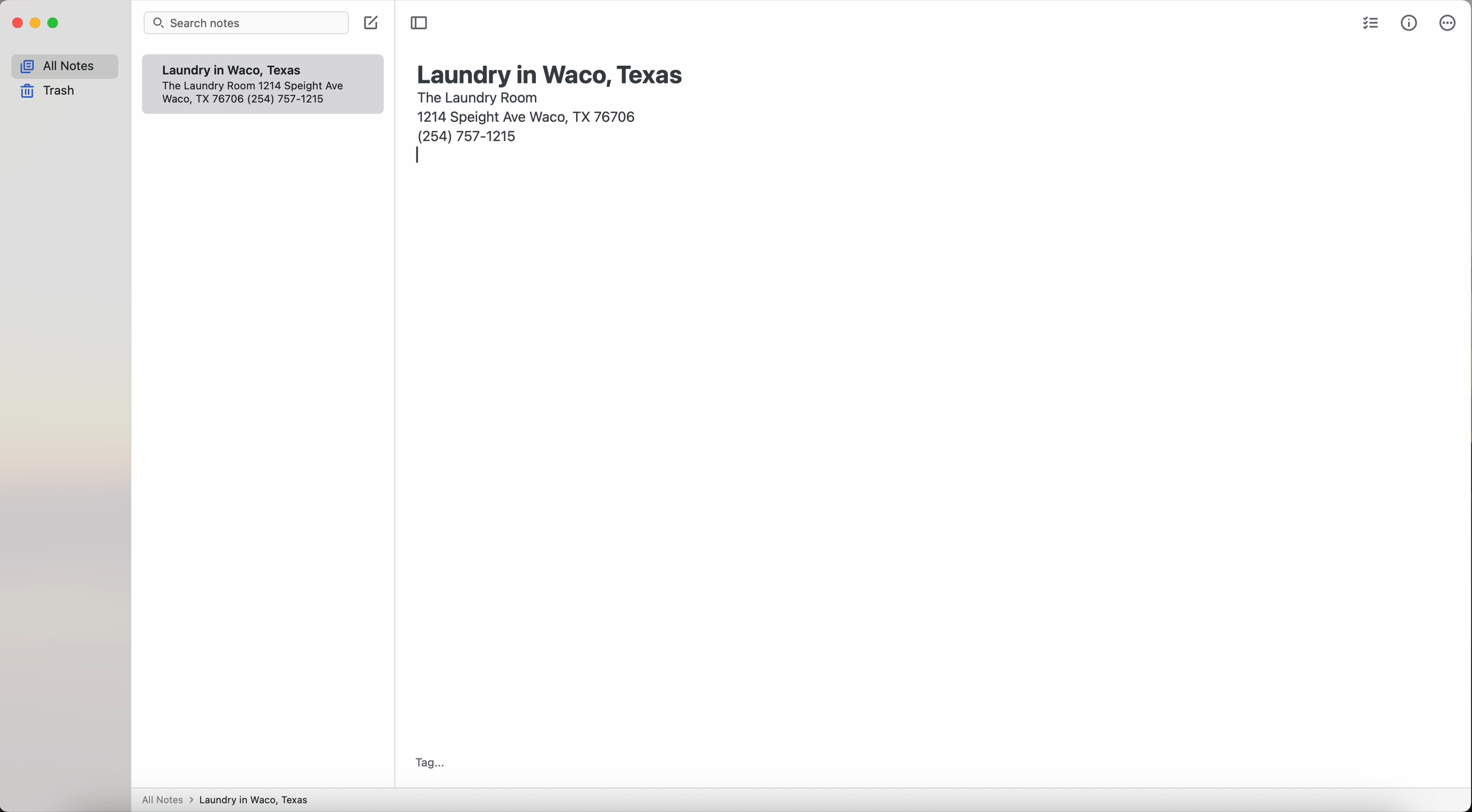 The height and width of the screenshot is (812, 1472). Describe the element at coordinates (479, 96) in the screenshot. I see `the laundry room` at that location.